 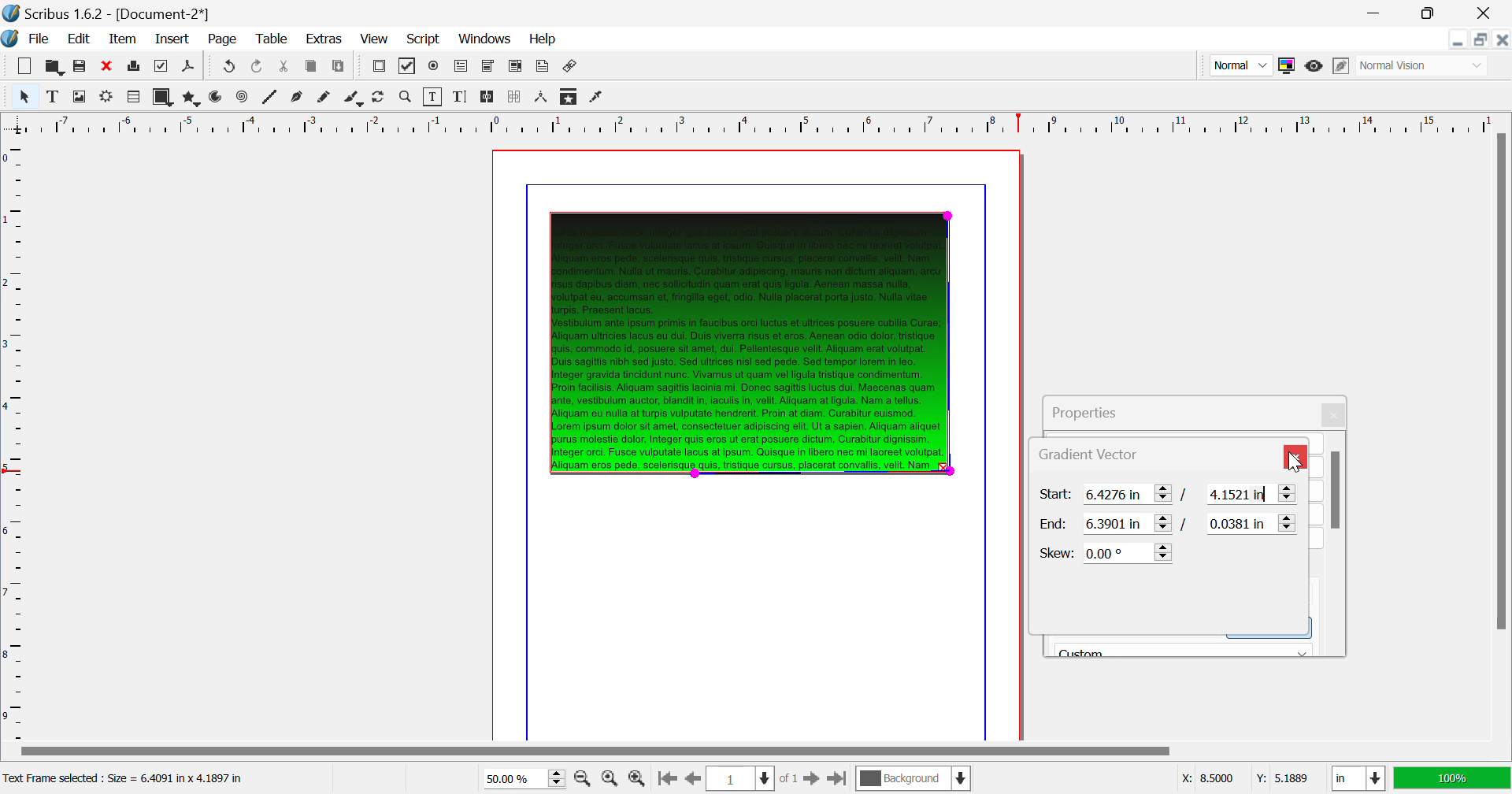 I want to click on Redo, so click(x=227, y=68).